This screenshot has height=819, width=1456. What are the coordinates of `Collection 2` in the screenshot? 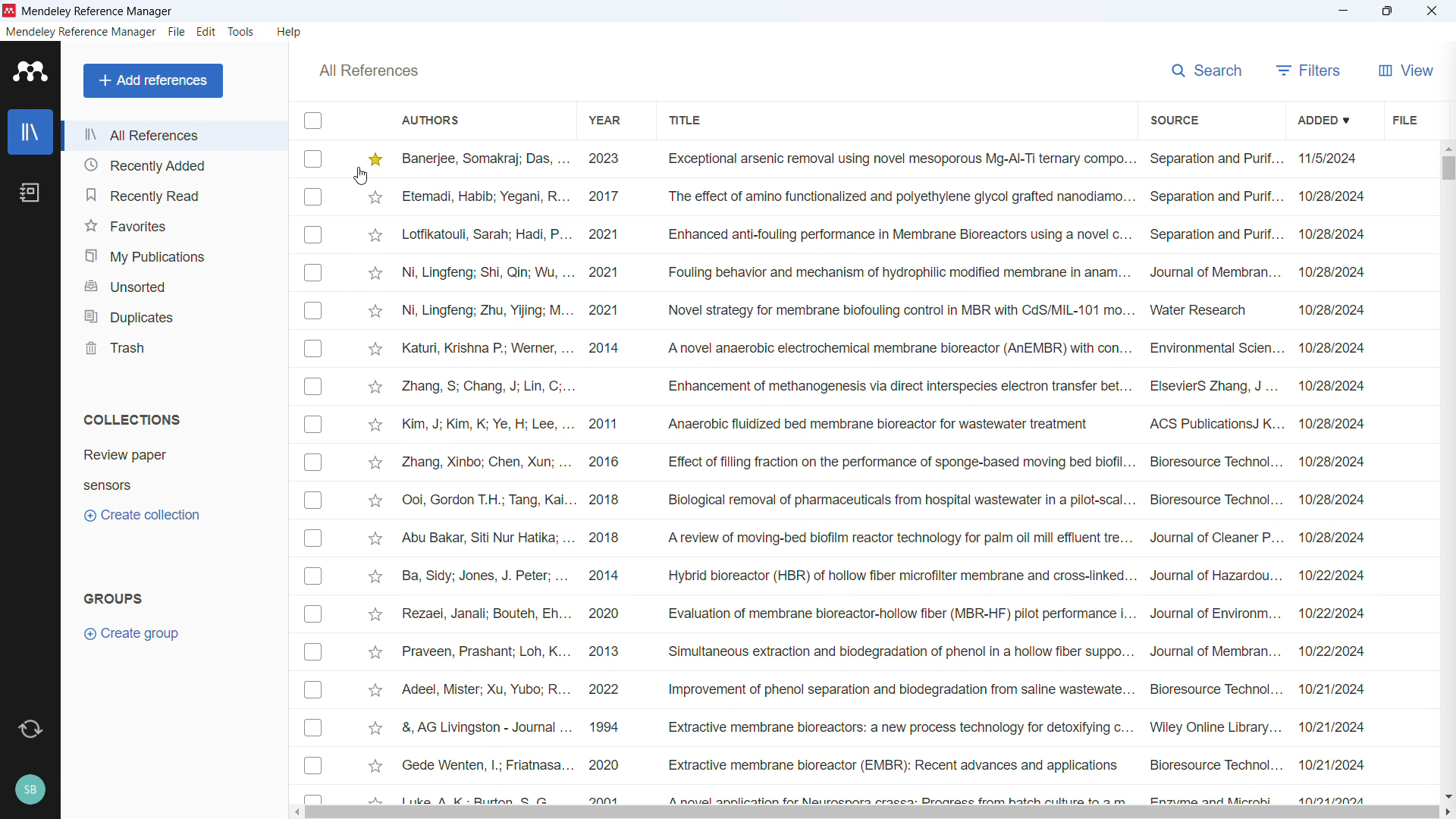 It's located at (107, 487).